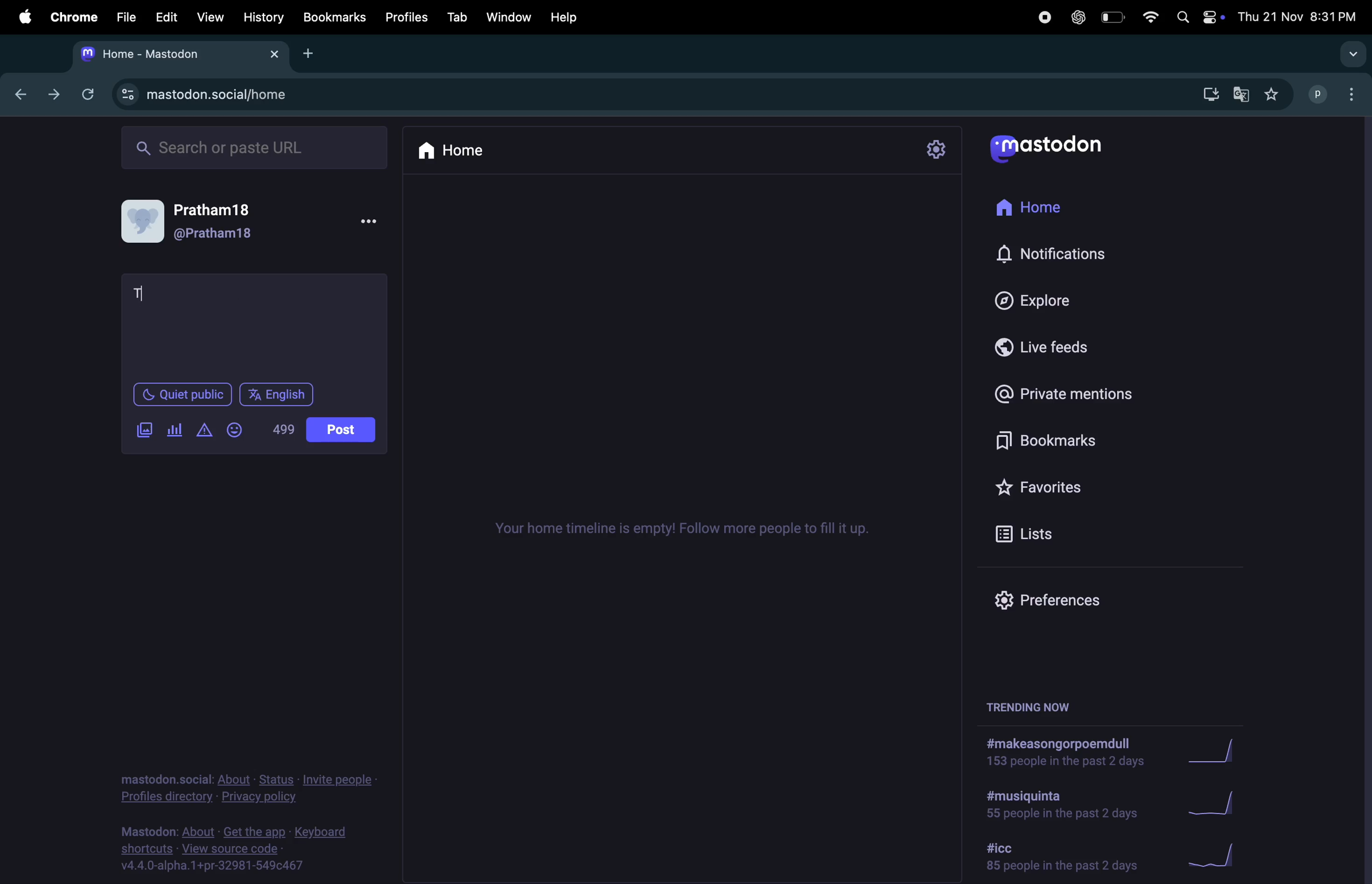 The height and width of the screenshot is (884, 1372). What do you see at coordinates (1216, 752) in the screenshot?
I see `graph` at bounding box center [1216, 752].